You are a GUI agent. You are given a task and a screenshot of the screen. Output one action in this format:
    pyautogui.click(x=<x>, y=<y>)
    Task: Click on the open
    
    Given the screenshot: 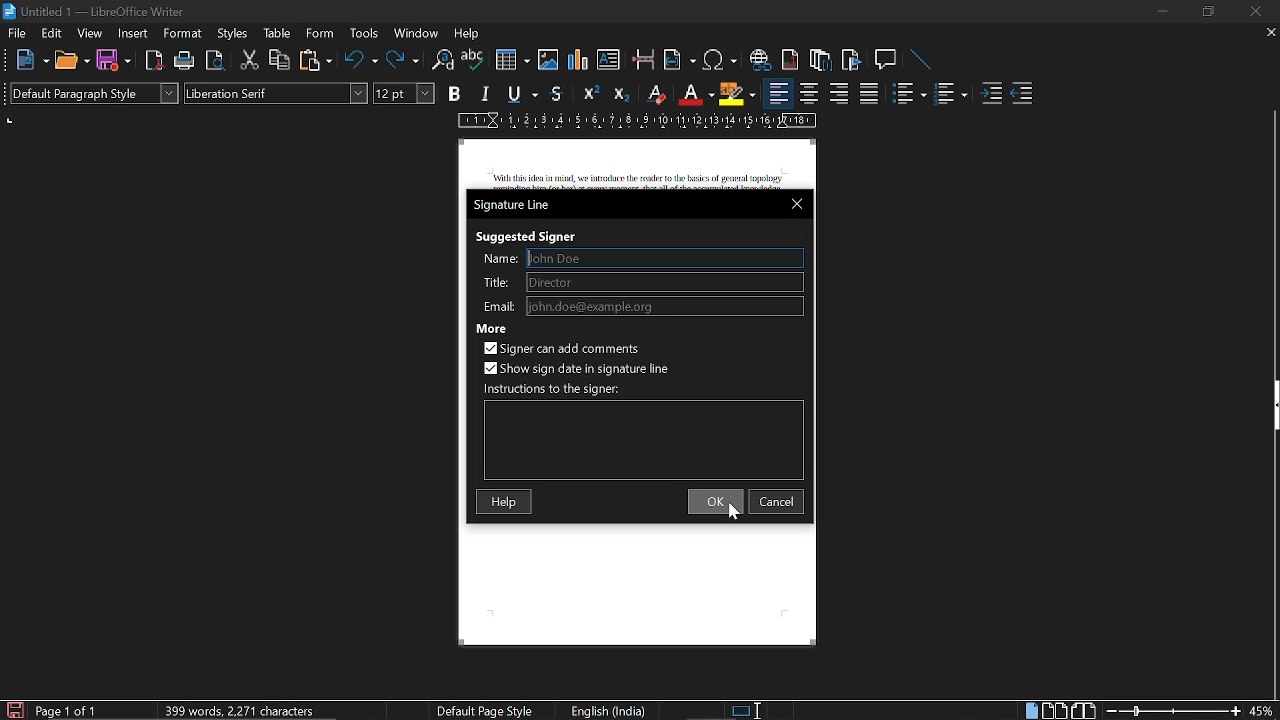 What is the action you would take?
    pyautogui.click(x=72, y=60)
    